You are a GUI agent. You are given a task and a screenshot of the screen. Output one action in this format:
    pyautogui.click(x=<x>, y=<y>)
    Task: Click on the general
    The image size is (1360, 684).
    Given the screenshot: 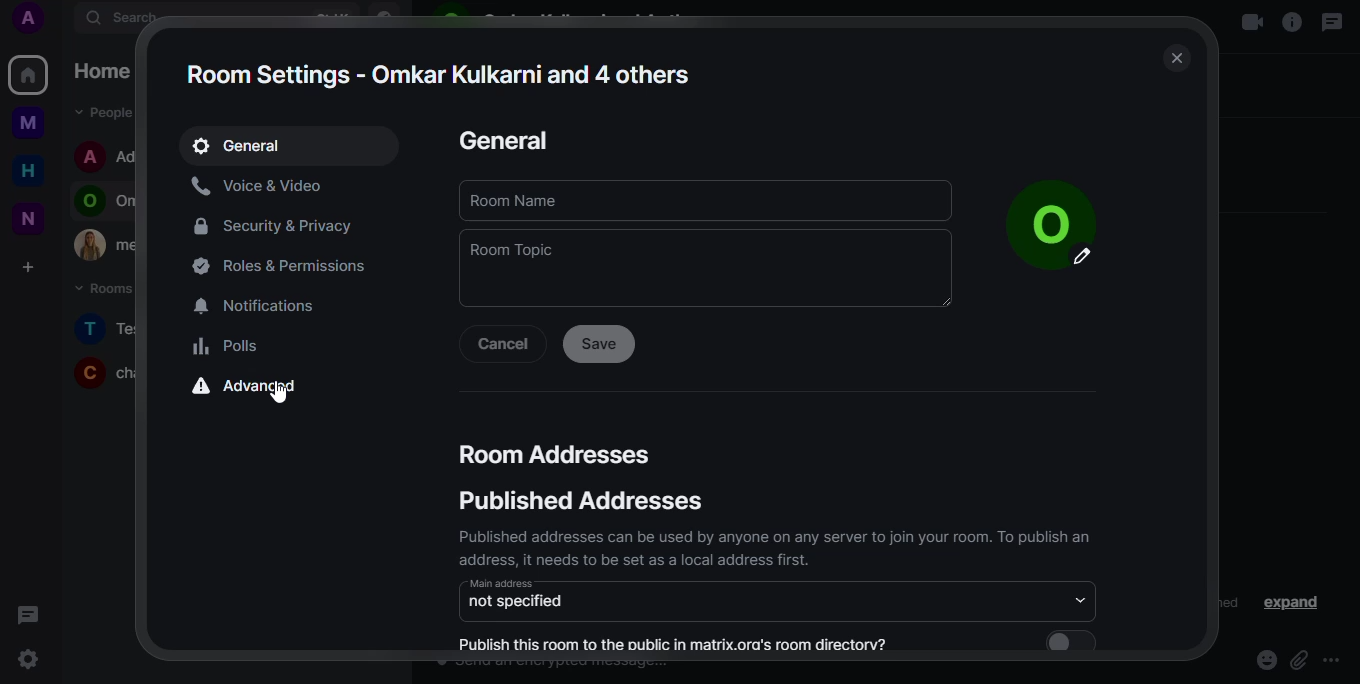 What is the action you would take?
    pyautogui.click(x=241, y=146)
    